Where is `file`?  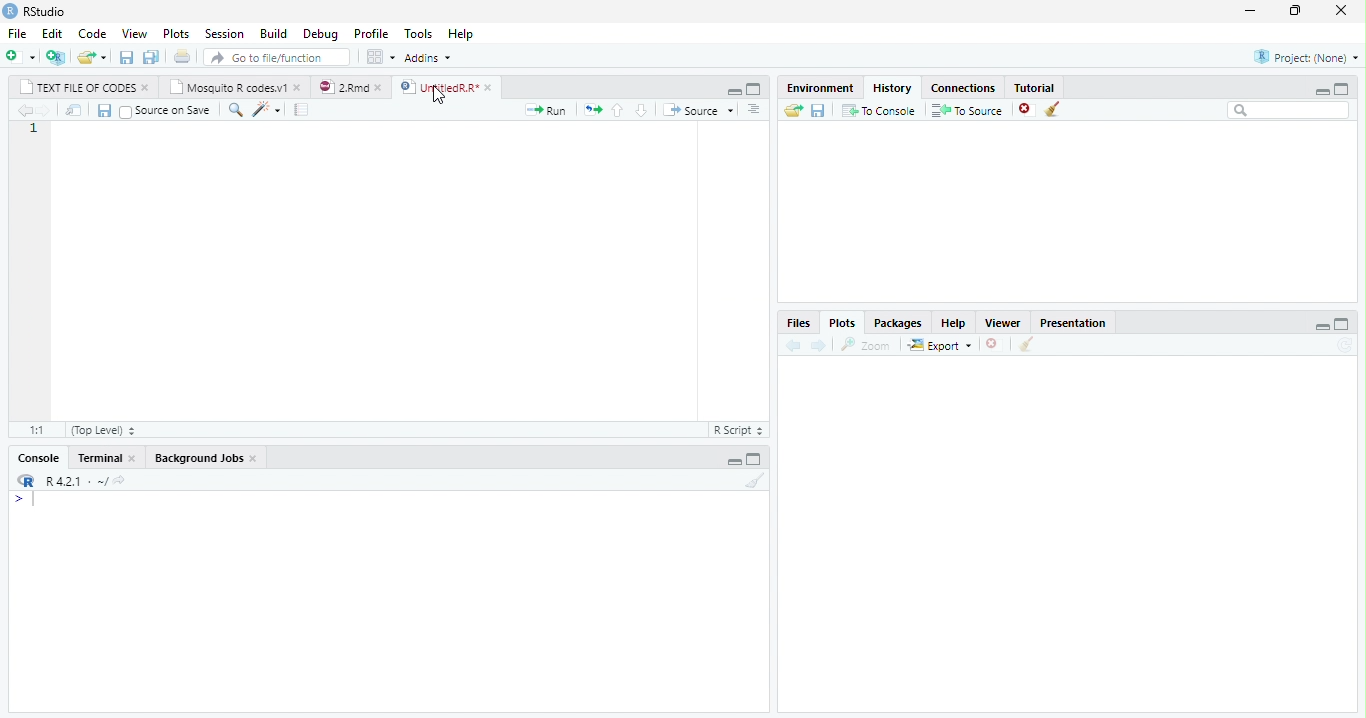 file is located at coordinates (15, 32).